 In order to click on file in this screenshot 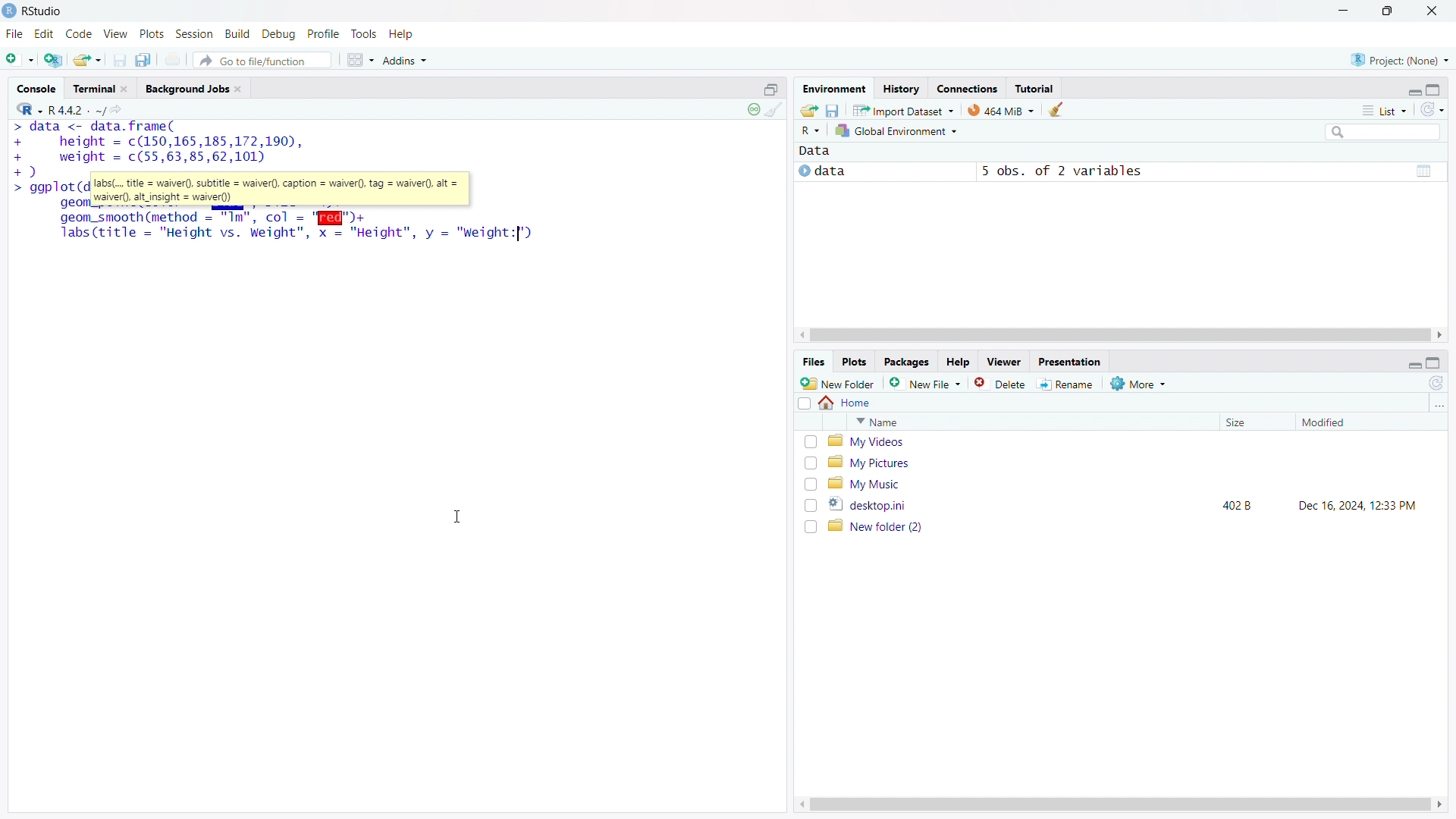, I will do `click(14, 34)`.